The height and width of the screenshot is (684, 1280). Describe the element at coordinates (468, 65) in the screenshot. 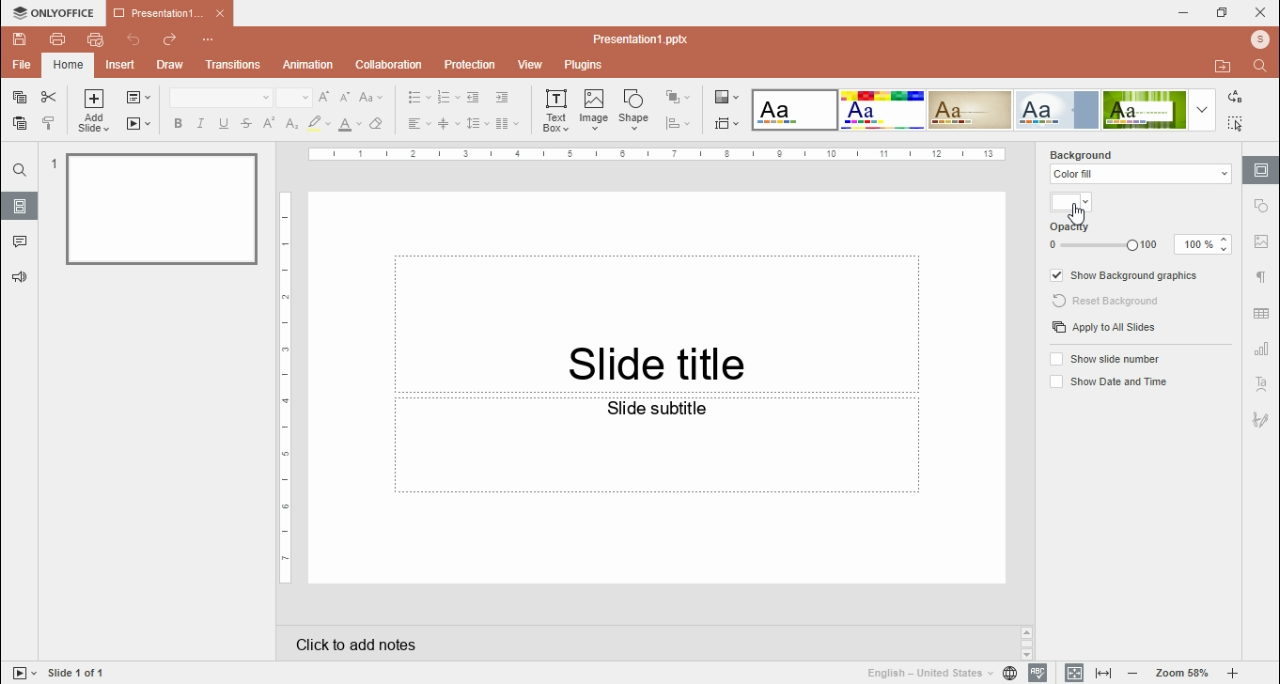

I see `protection` at that location.